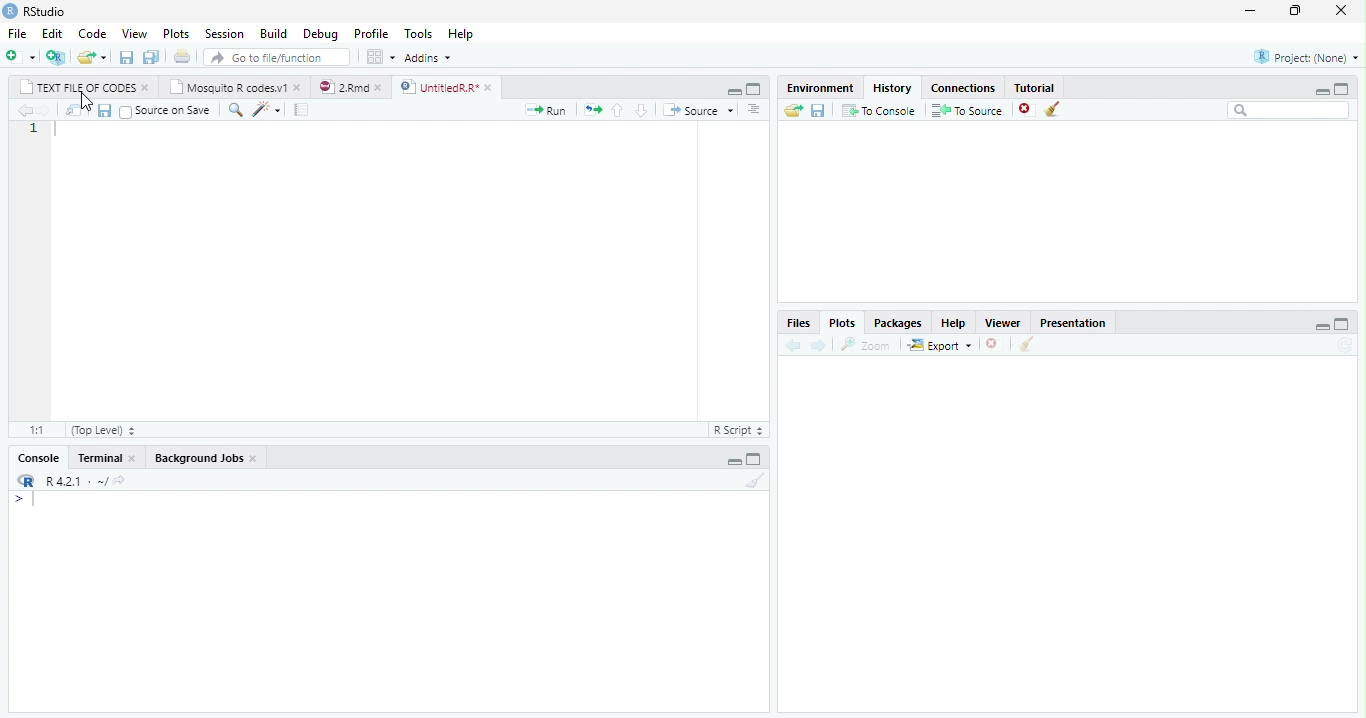 This screenshot has width=1366, height=718. What do you see at coordinates (165, 110) in the screenshot?
I see `source on save` at bounding box center [165, 110].